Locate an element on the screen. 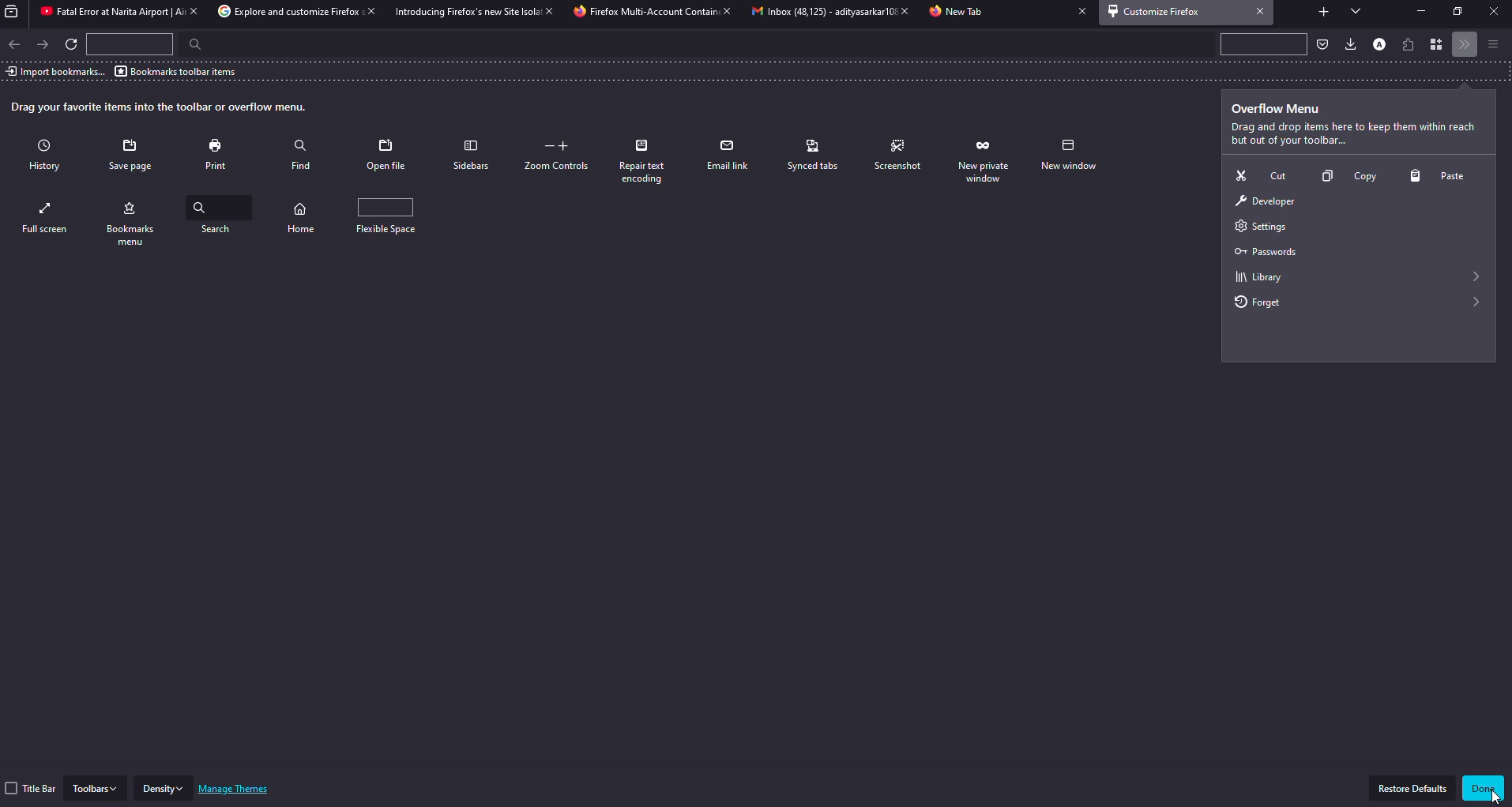 This screenshot has height=807, width=1512. maximize is located at coordinates (1458, 12).